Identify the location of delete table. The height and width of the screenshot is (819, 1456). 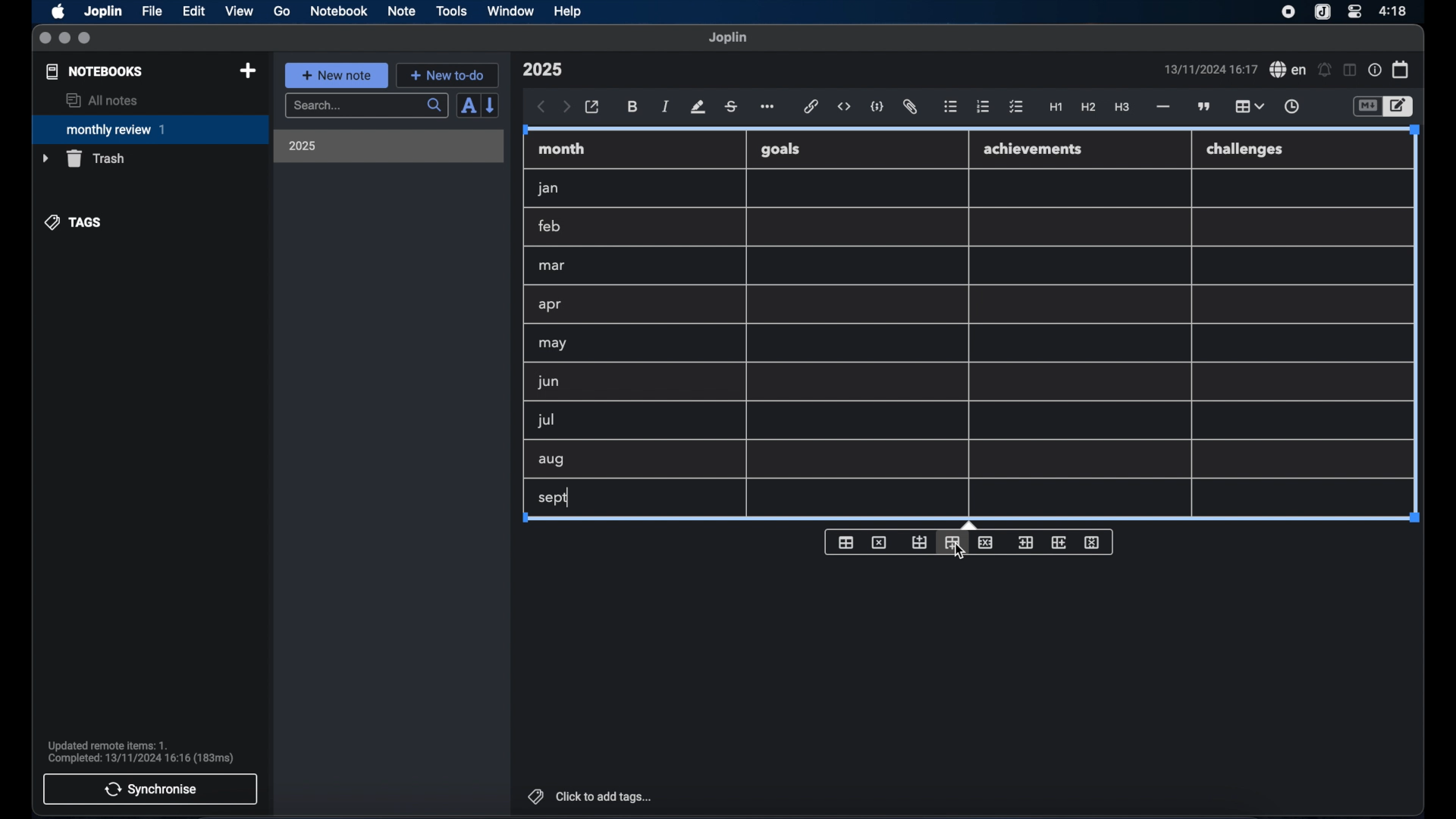
(879, 543).